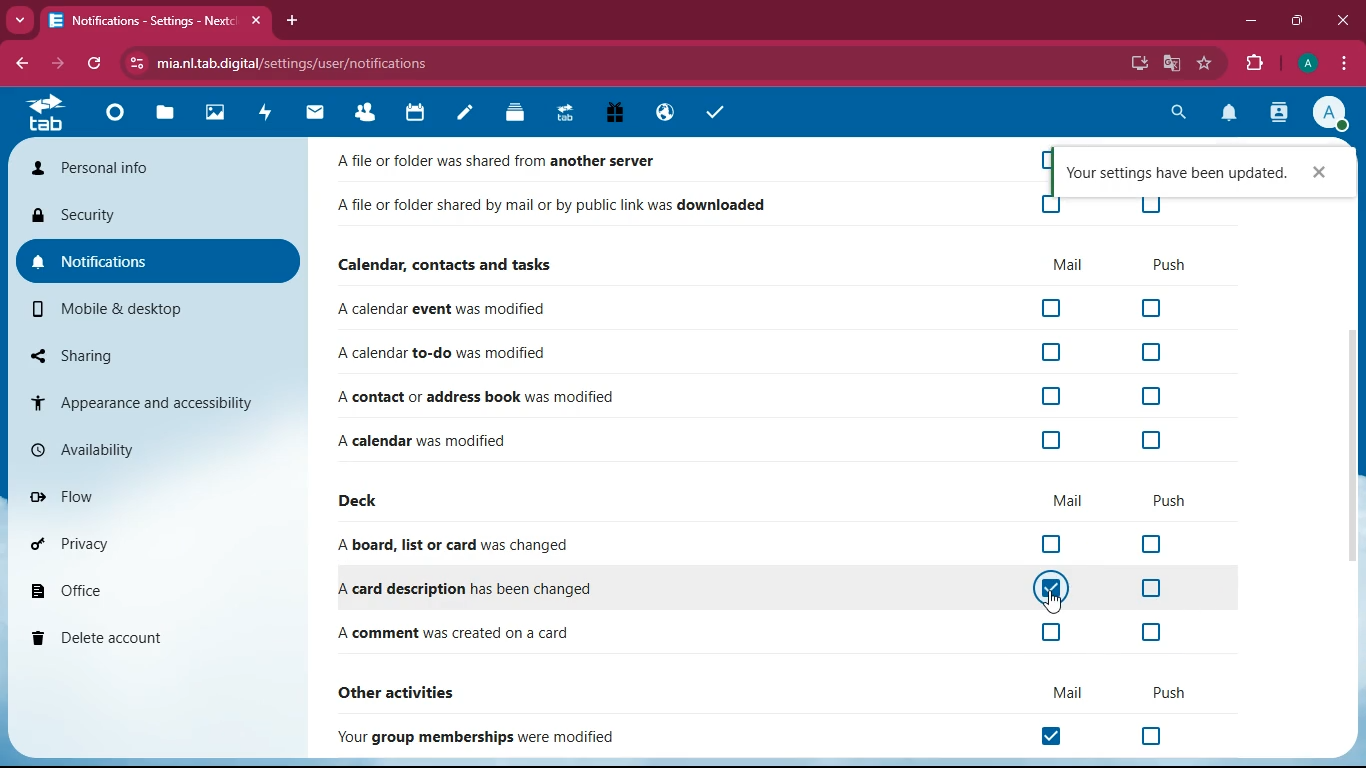 The width and height of the screenshot is (1366, 768). What do you see at coordinates (553, 208) in the screenshot?
I see `A file or folder shared by mail or by public link was downloaded` at bounding box center [553, 208].